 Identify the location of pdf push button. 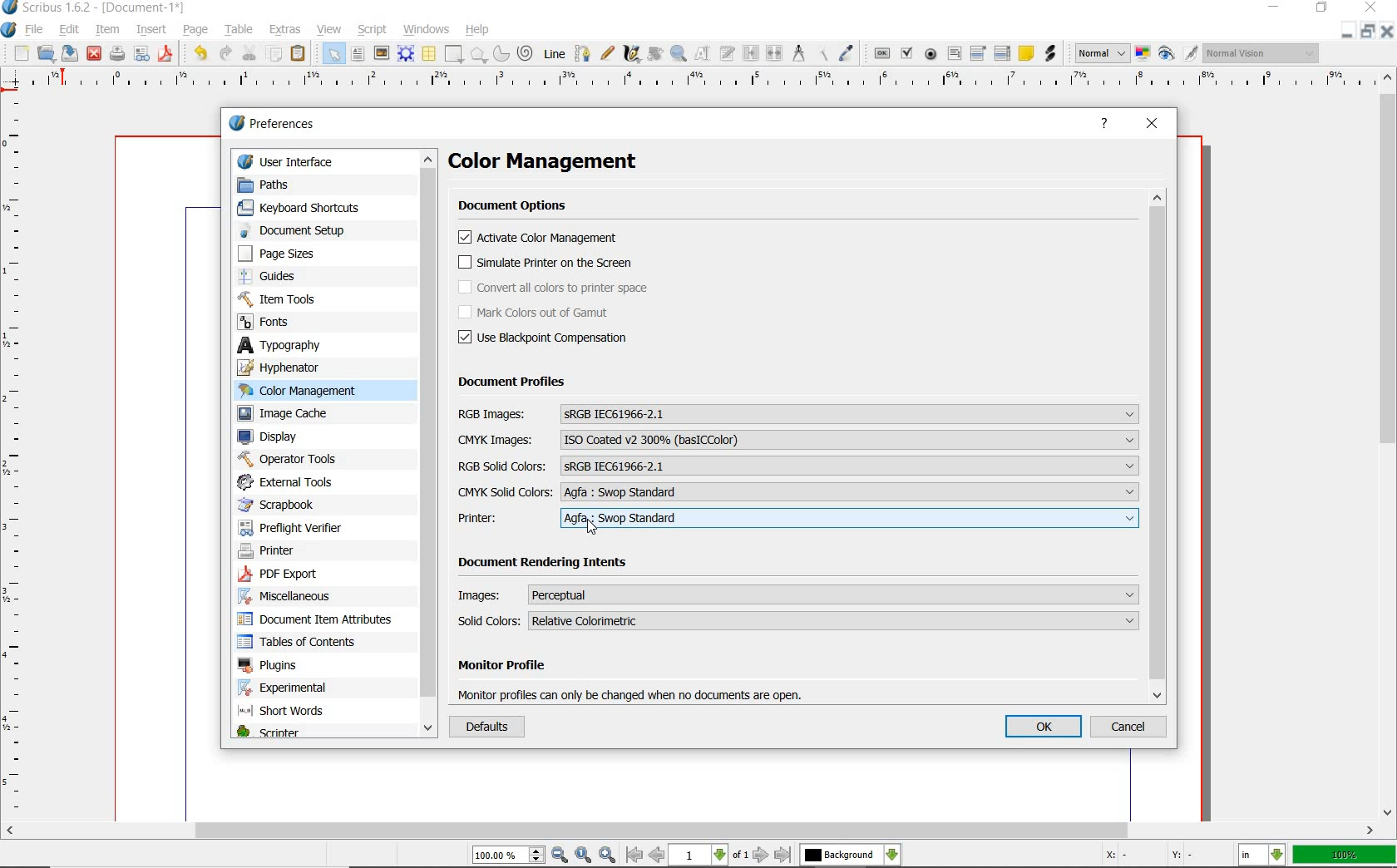
(881, 53).